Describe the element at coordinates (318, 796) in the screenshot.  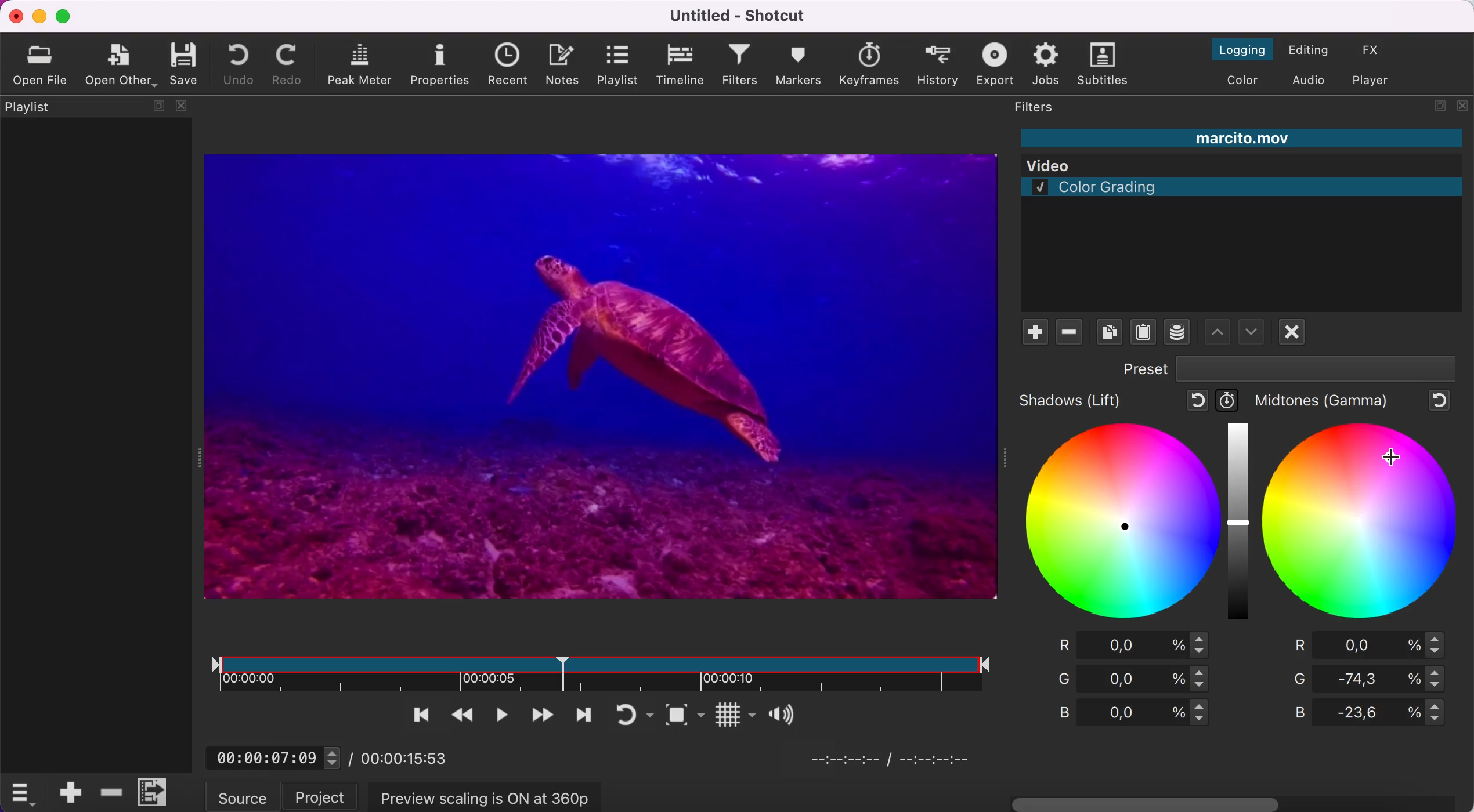
I see `project` at that location.